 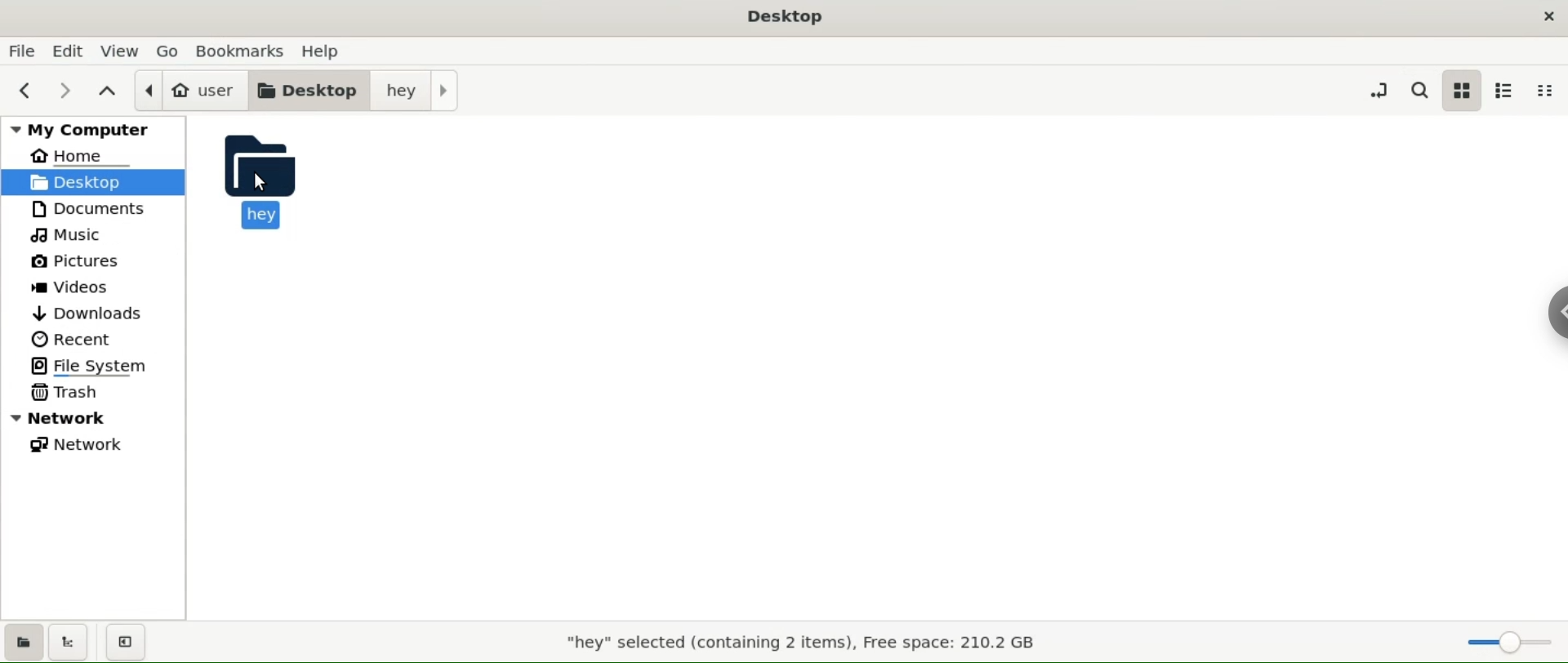 What do you see at coordinates (414, 90) in the screenshot?
I see `hey` at bounding box center [414, 90].